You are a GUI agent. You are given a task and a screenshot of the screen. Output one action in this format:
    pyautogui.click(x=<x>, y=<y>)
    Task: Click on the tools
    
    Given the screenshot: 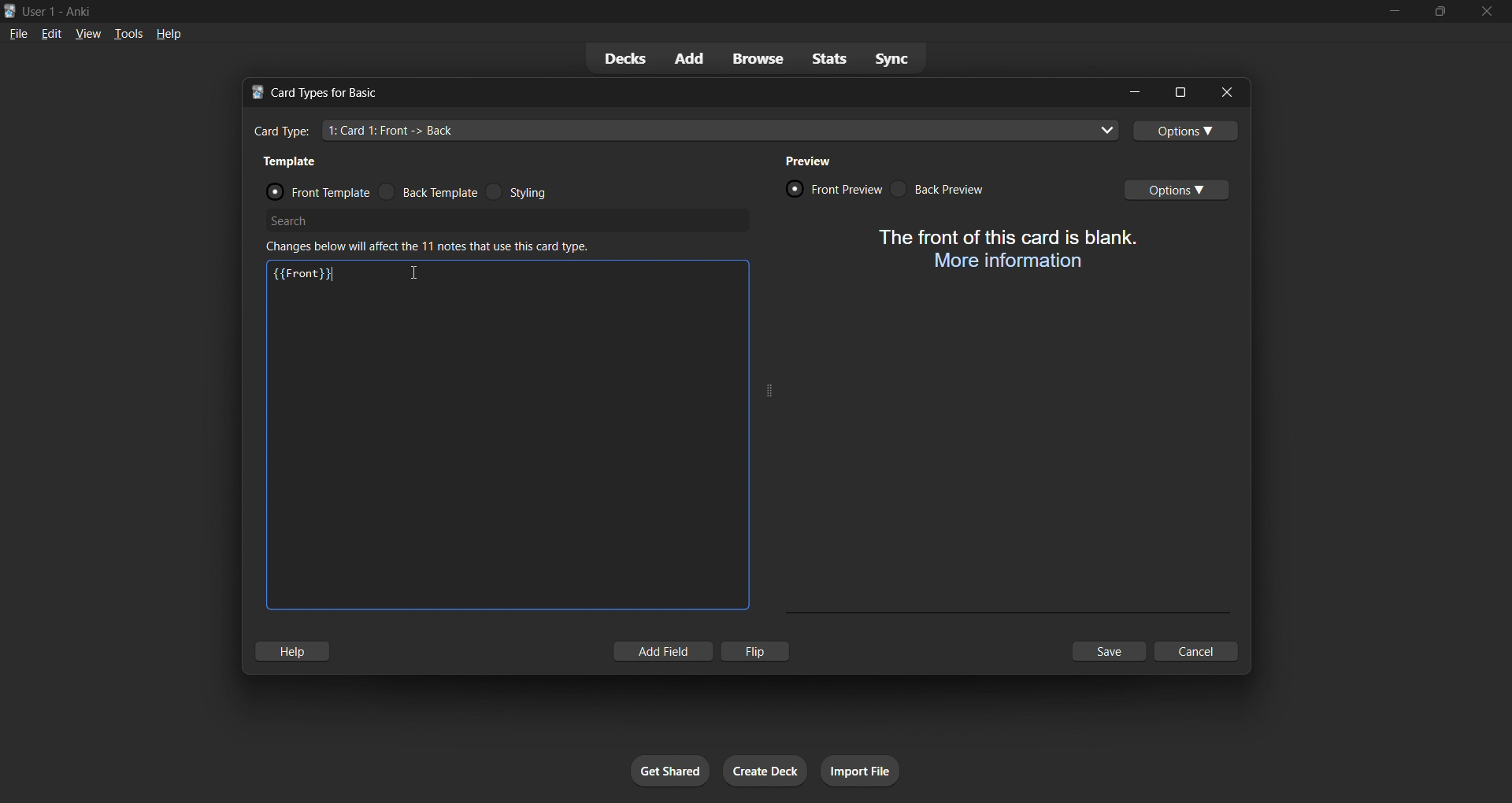 What is the action you would take?
    pyautogui.click(x=126, y=35)
    